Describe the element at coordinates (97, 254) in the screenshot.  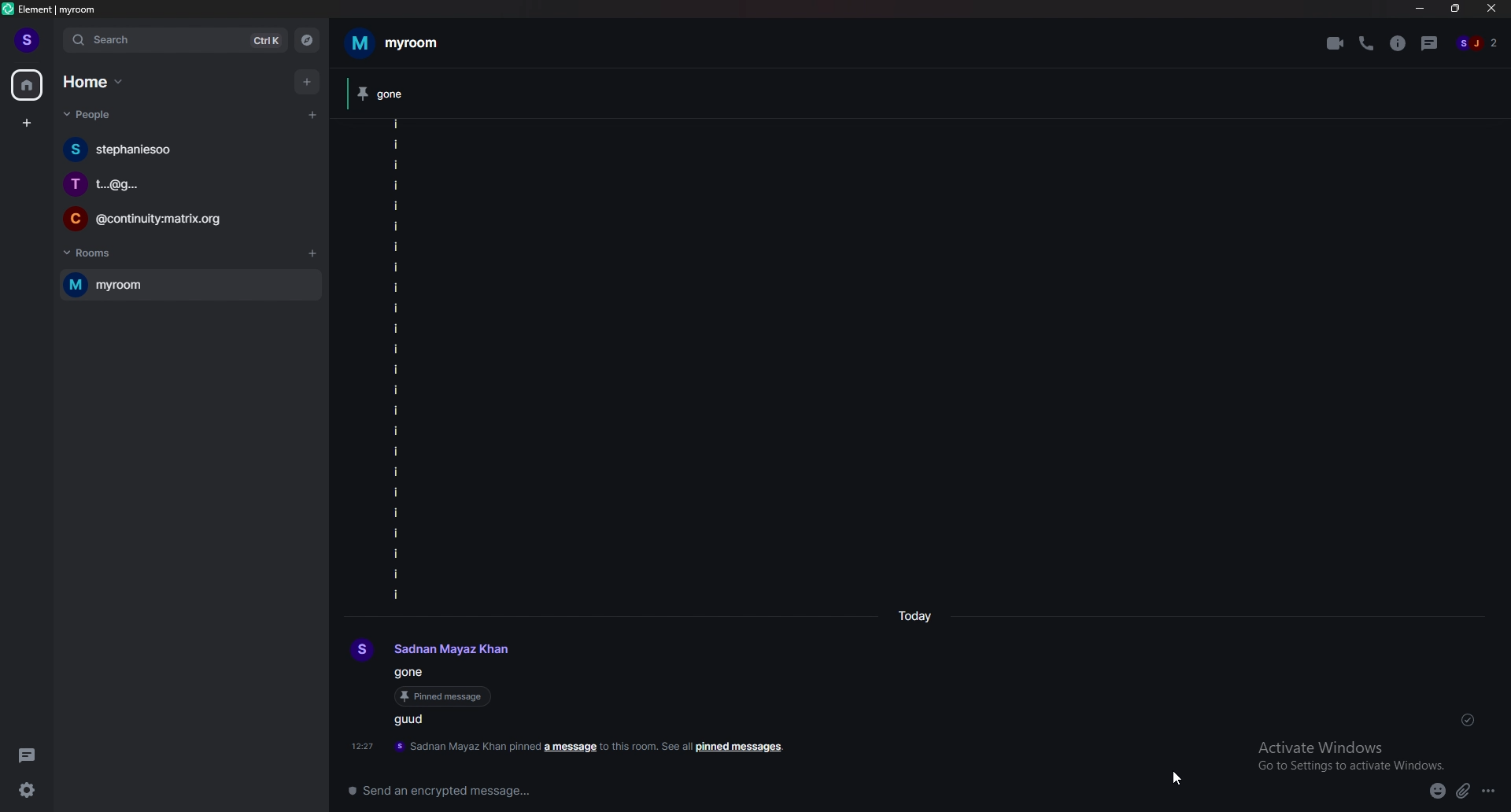
I see `rooms` at that location.